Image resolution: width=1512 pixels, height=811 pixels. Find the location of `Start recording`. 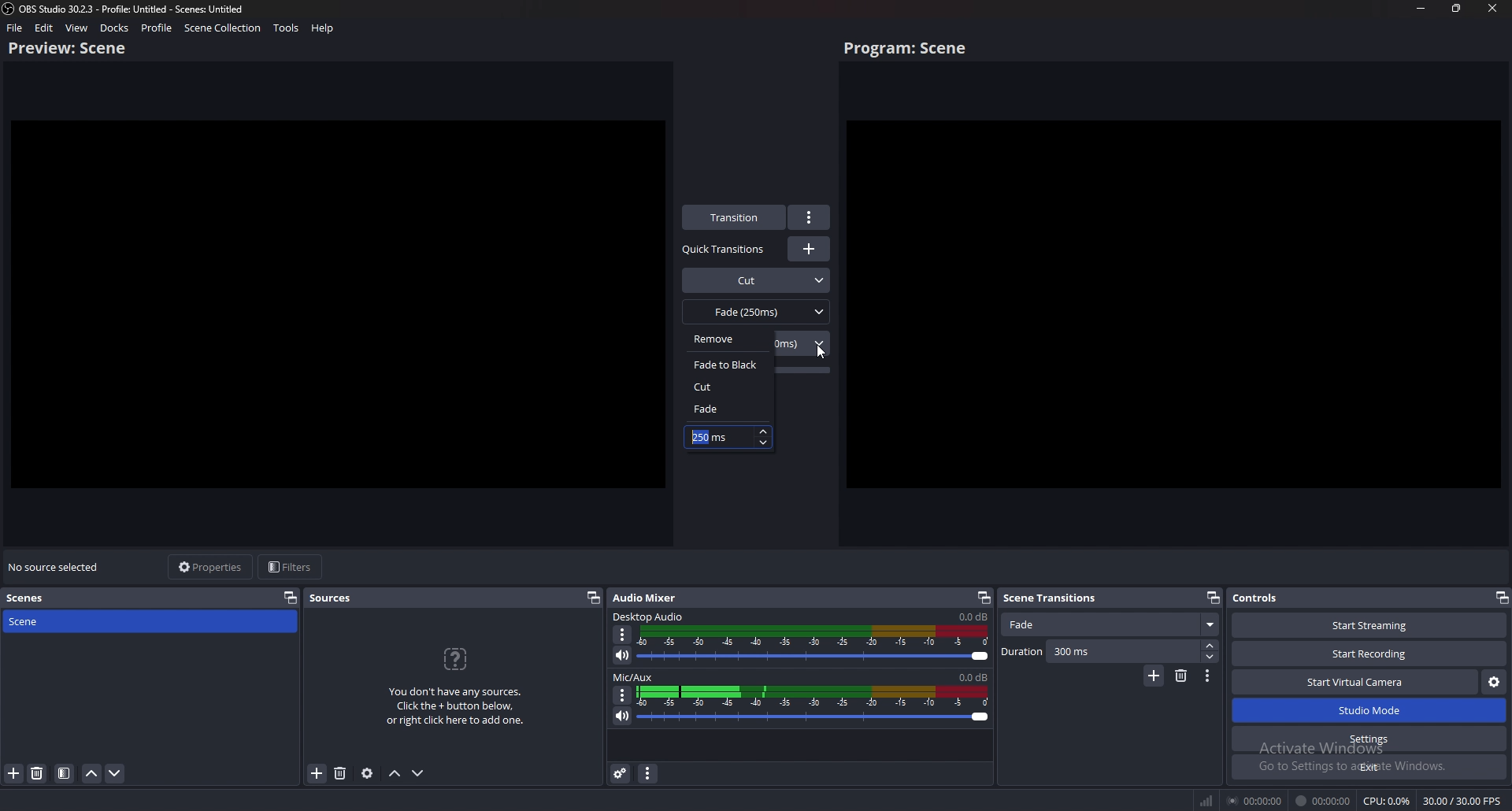

Start recording is located at coordinates (1370, 654).